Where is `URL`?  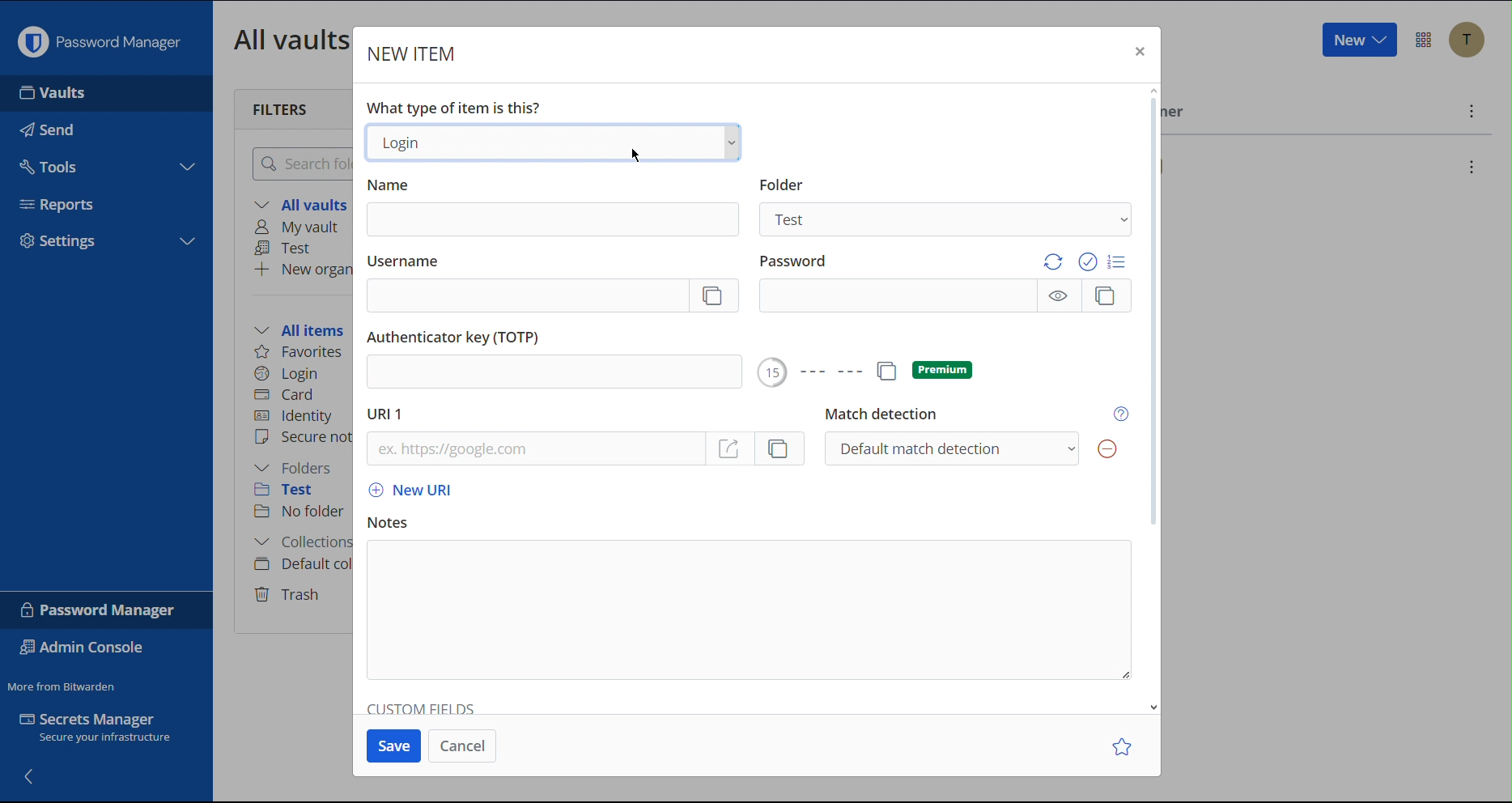 URL is located at coordinates (533, 449).